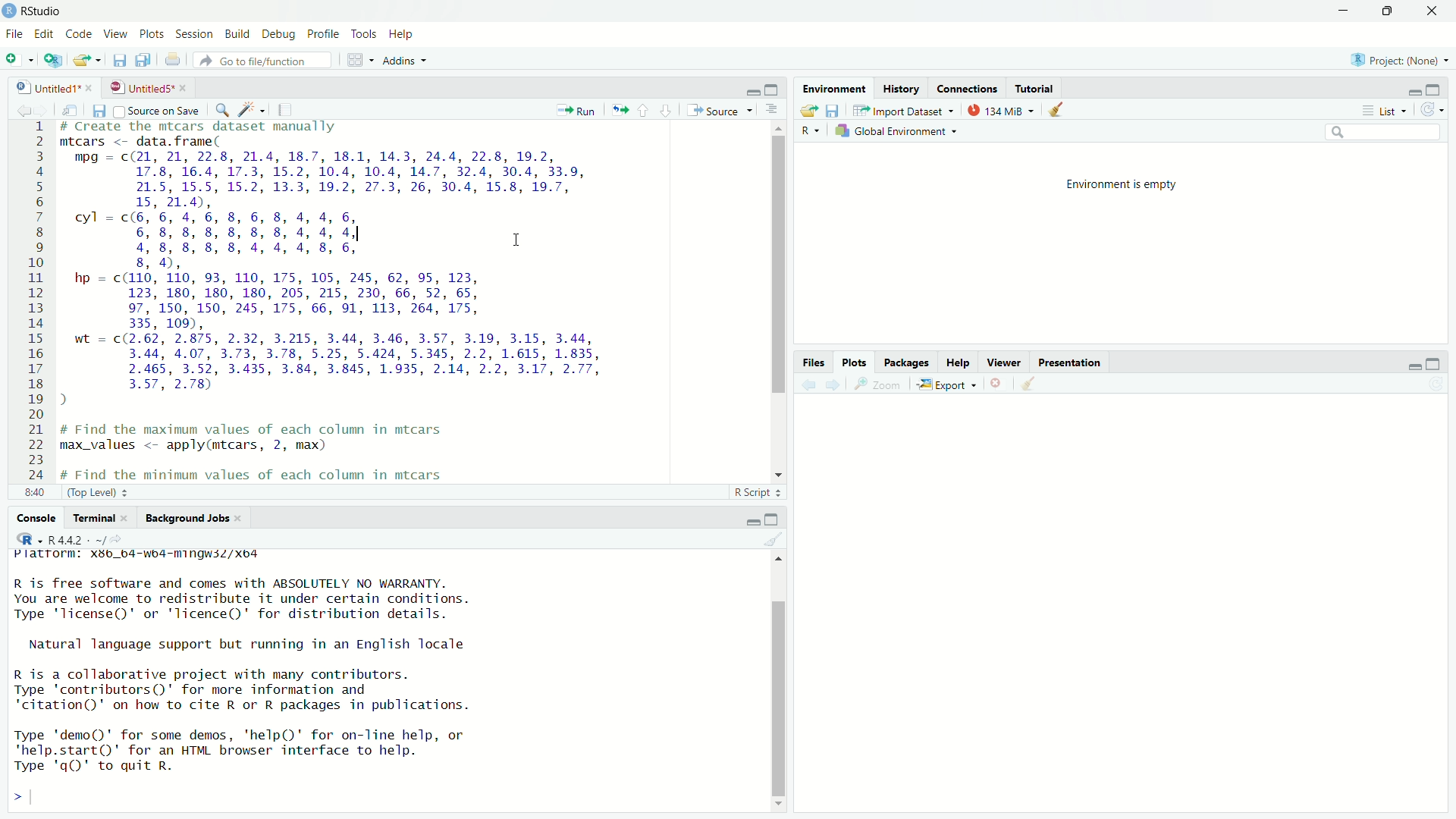  I want to click on 1 # Create the mtcars dataset manually

2 mtcars <- data.frame(

3 mpg = c(21, 21, 22.8, 21.4, 18.7, 18.1, 14.3, 24.4, 22.8, 19.2,

4 17.8, 16.4, 17.3, 15.2, 10.4, 10.4, 14.7, 32.4, 30.4, 33.9,
5 21.5, 15.5, 15.2, 13.3, 19.2, 27.3, 26, 30.4, 15.8, 19.7,

6 15, 21.4),

7 coyl=c(6,6,4,6,8,6,8,4,4,6,

8 6,8,8,8,8,8,8,4,4,4, T

9 4,8,8,8,8,4,4,4,8,6,

10 8, 4,

11 hp = c(110, 110, 93, 110, 175, 105, 245, 62, 95, 123,

12 123, 180, 180, 180, 205, 215, 230, 66, 52, 65,

13 97, 150, 150, 245, 175, 66, 91, 113, 264, 175,

14 335, 109),

15 wt = c(2.62, 2.875, 2.32, 3.215, 3.44, 3.46, 3.57, 3.19, 3.15, 3.44,
16 3.44, 4.07, 3.73, 3.78, 5.25, 5.424, 5.345, 2.2, 1.615, 1.835,
17 2.465, 3.52, 3.435, 3.84, 3.845, 1.935, 2.14, 2.2, 3.17, 2.77,
18 3.57, 2.78)

19 )

20

21 # Find the maximum values of each column in mtcars

22 max_values <- apply(mtcars, 2, max)

peng, so click(352, 300).